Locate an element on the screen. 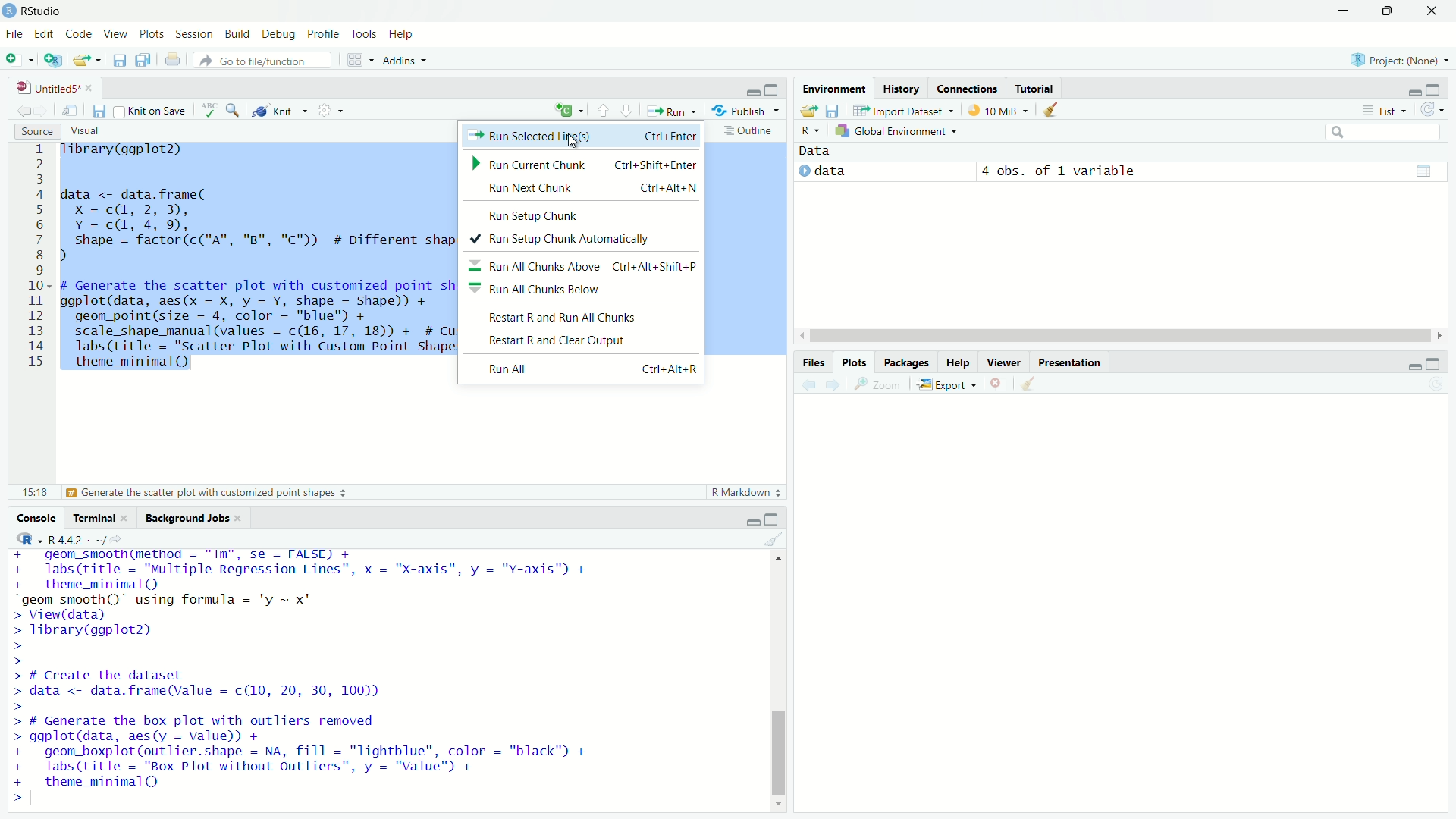 The height and width of the screenshot is (819, 1456). Load workspace is located at coordinates (809, 111).